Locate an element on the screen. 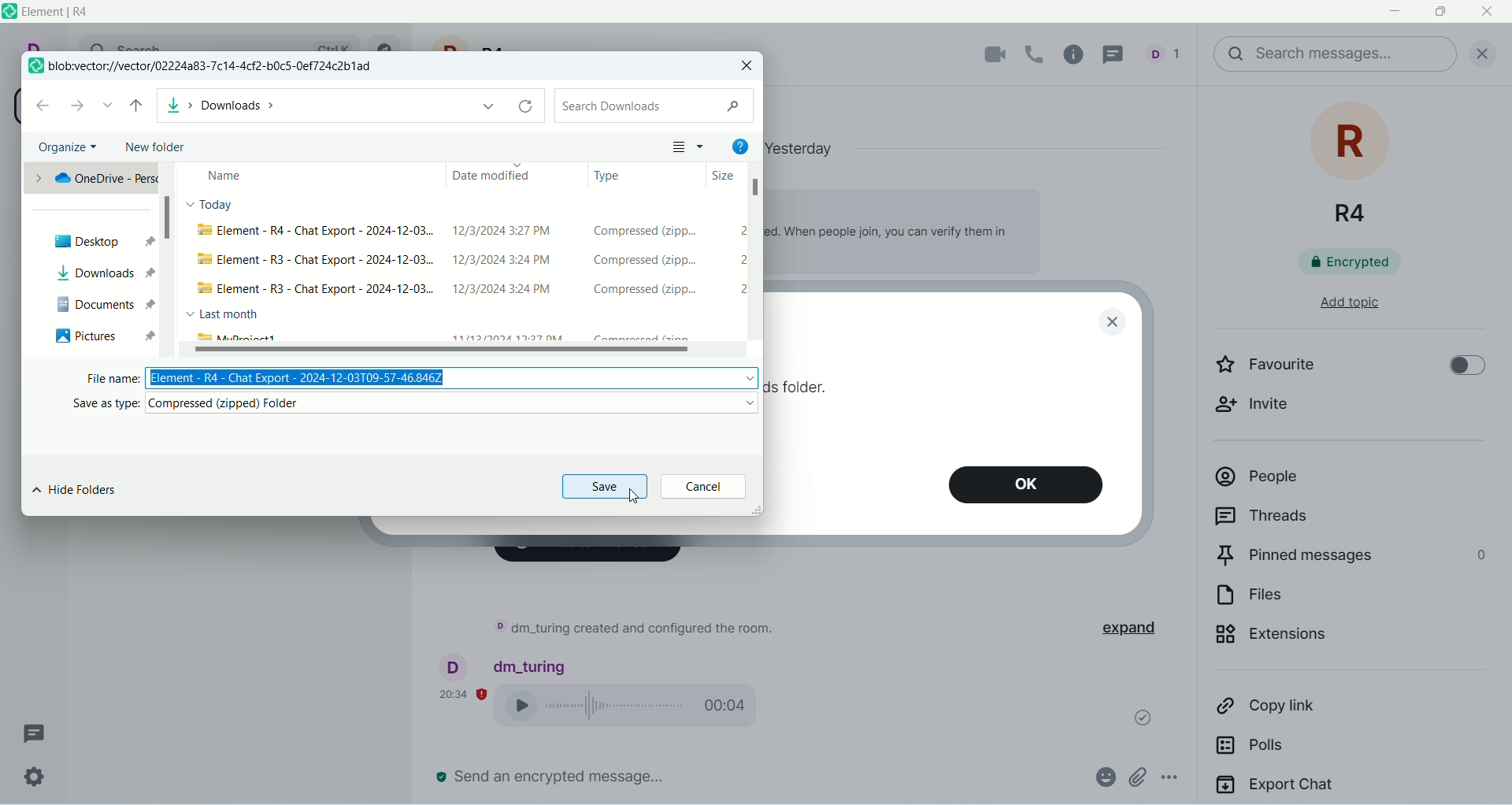 Image resolution: width=1512 pixels, height=805 pixels. pinned message is located at coordinates (1349, 558).